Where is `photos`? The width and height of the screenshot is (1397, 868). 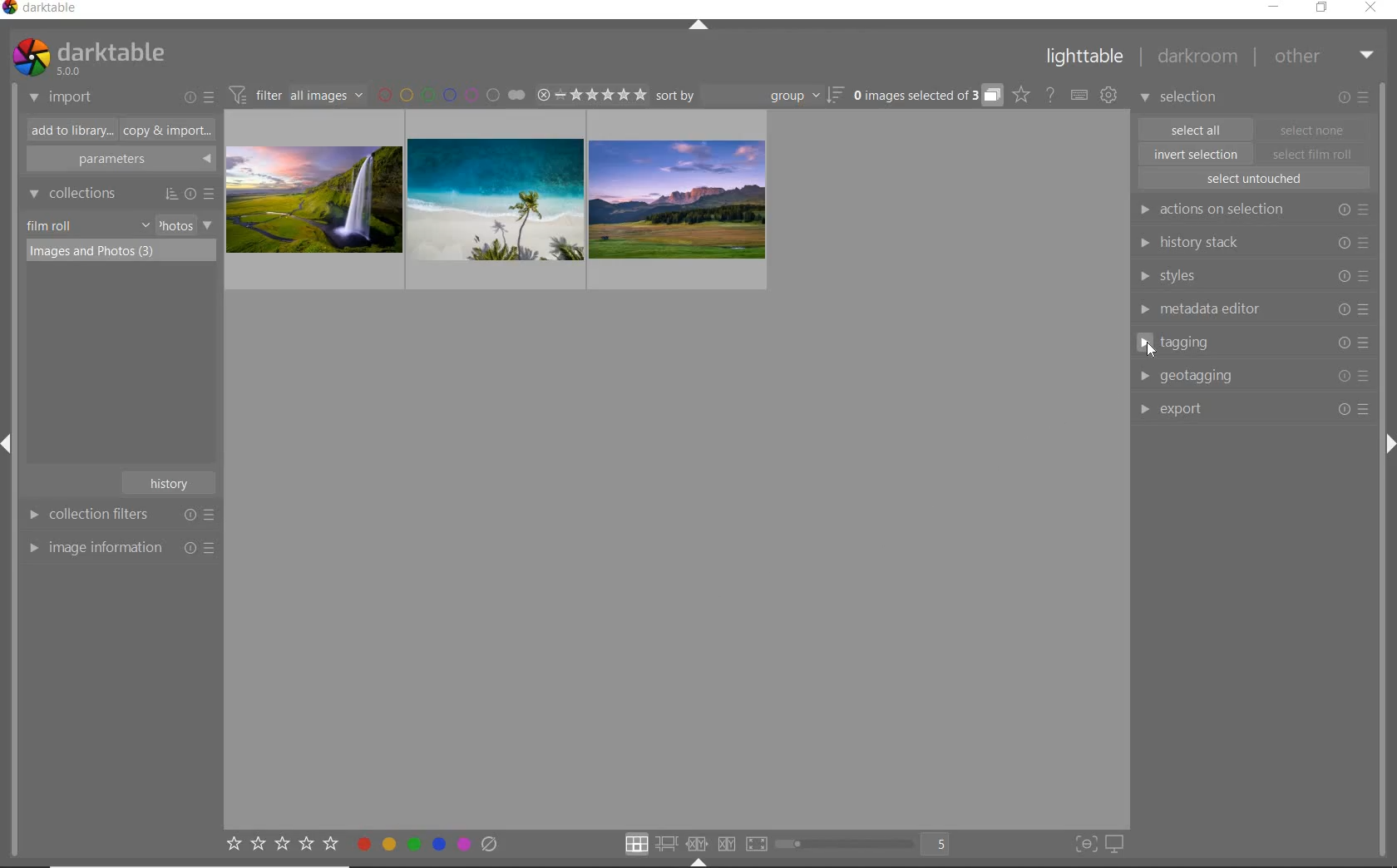 photos is located at coordinates (175, 225).